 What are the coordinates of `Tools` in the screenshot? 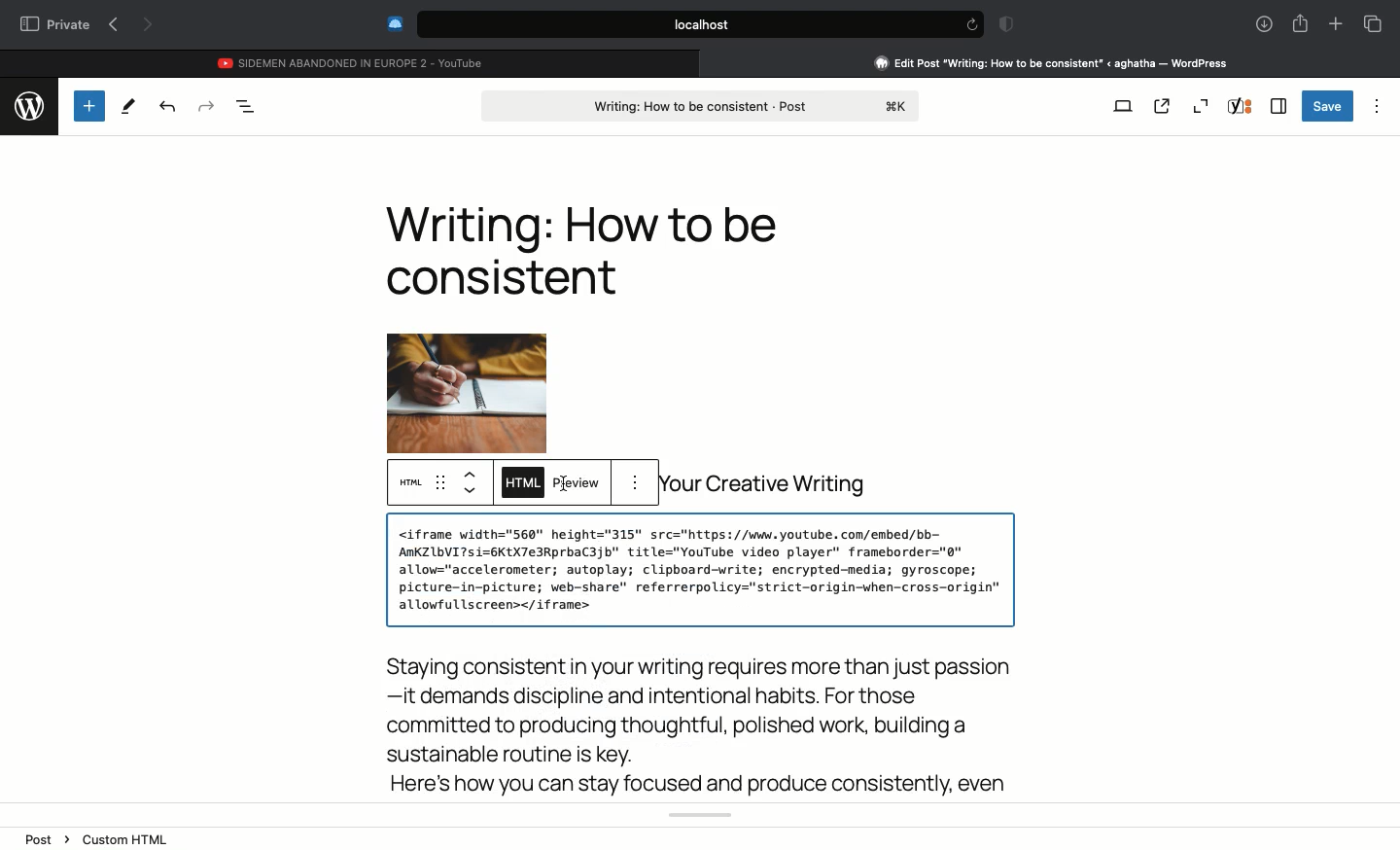 It's located at (128, 107).